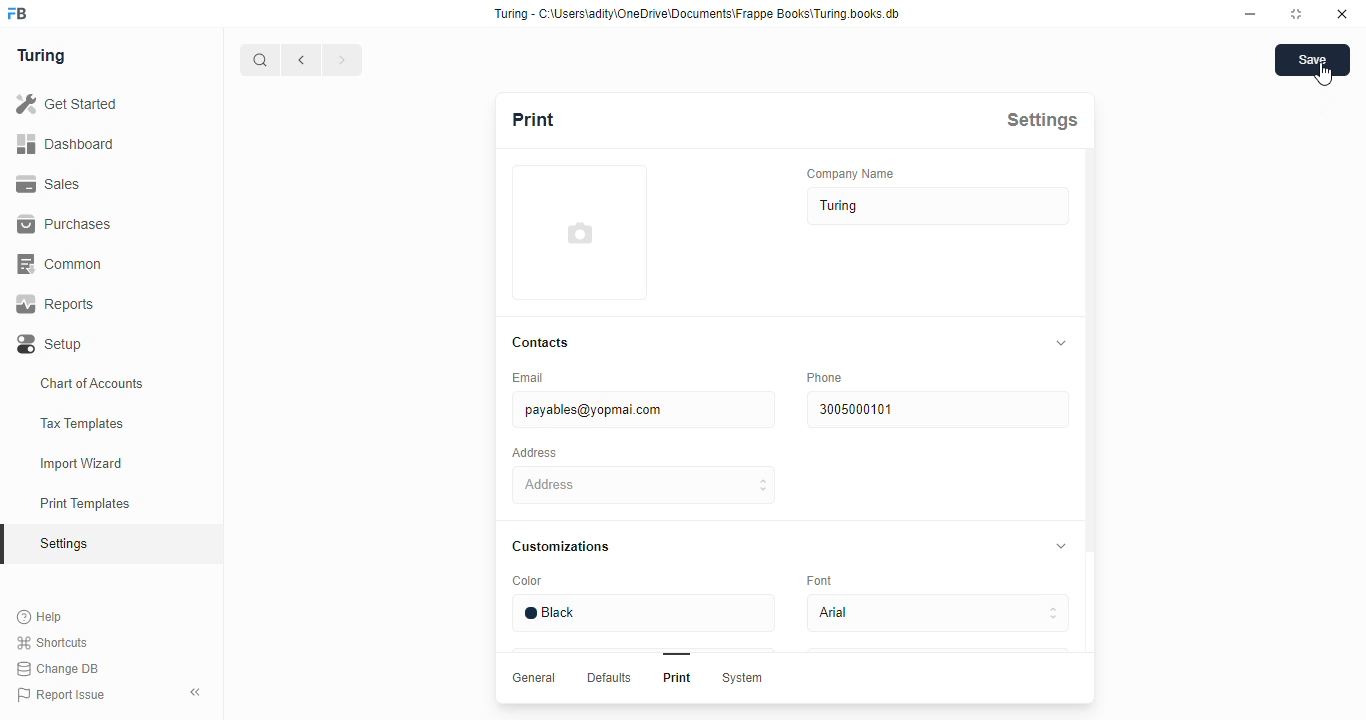  What do you see at coordinates (606, 678) in the screenshot?
I see `Defaults` at bounding box center [606, 678].